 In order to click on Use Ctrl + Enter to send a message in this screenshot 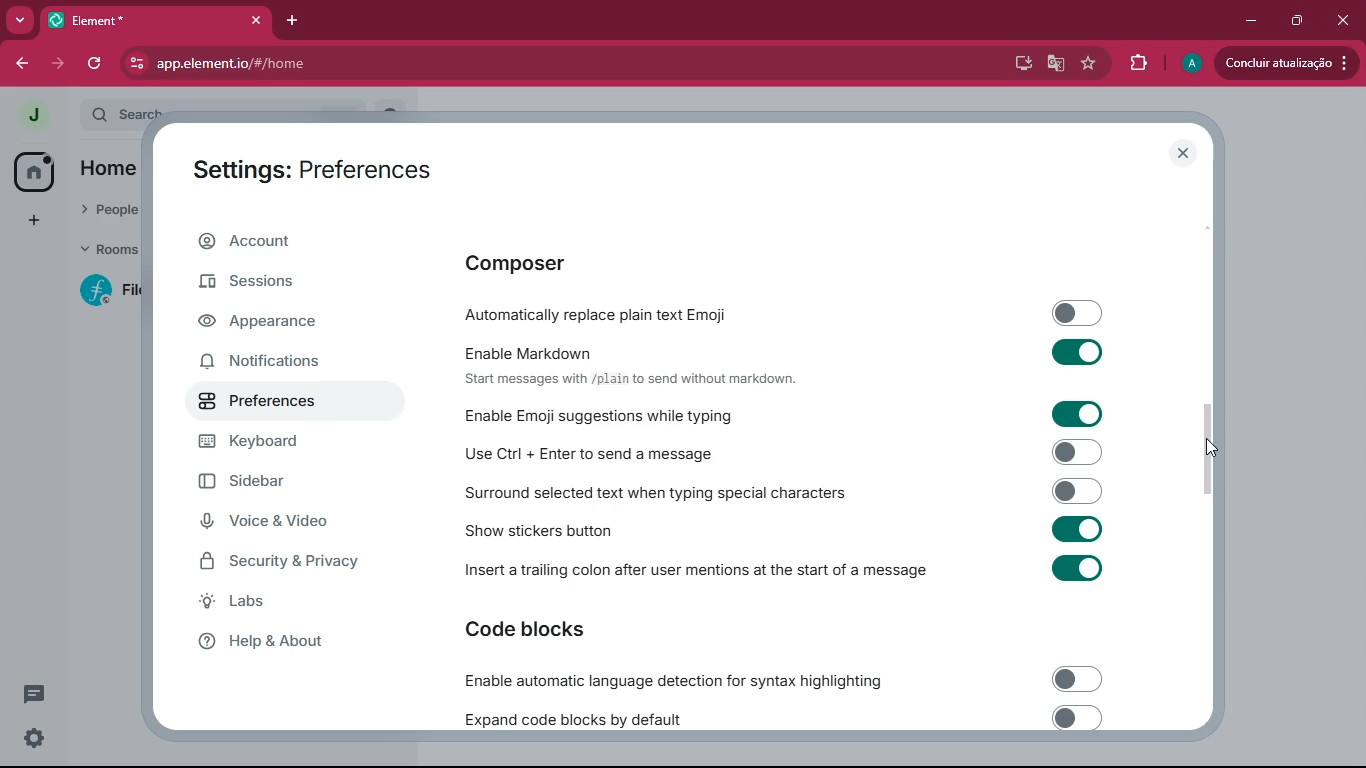, I will do `click(787, 451)`.